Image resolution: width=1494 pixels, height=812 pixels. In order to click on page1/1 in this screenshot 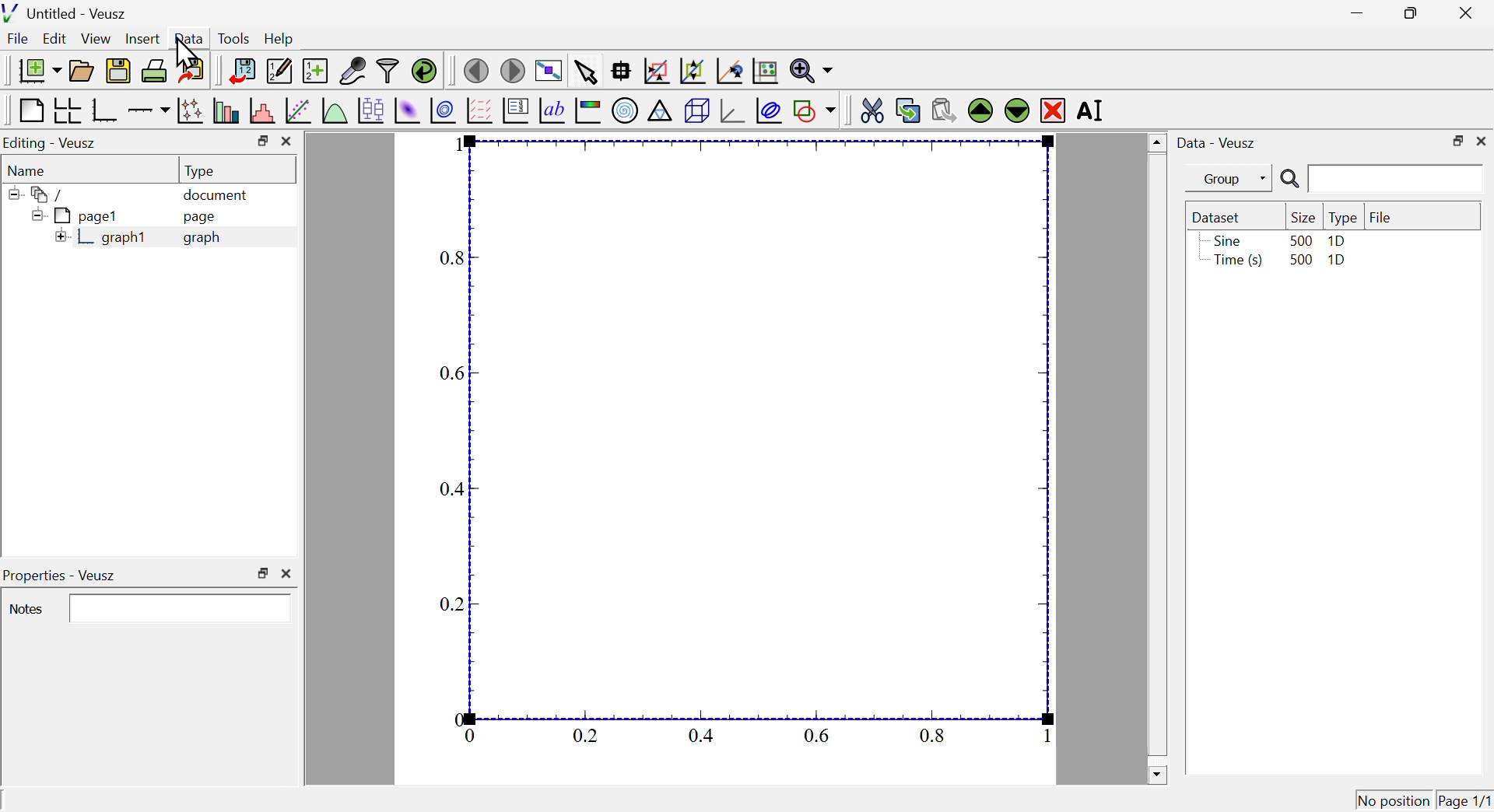, I will do `click(1465, 797)`.